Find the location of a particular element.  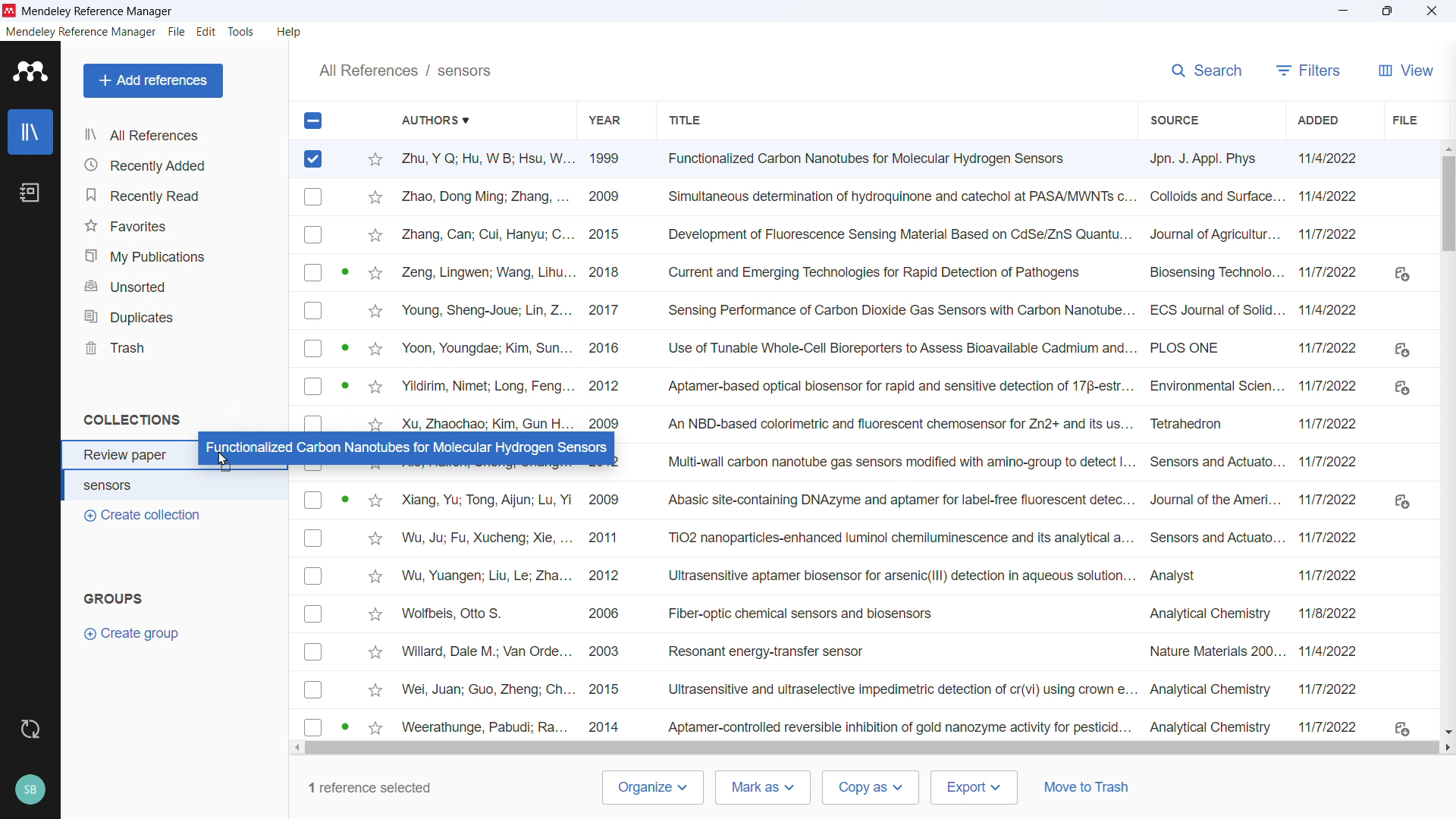

Reference being dragged  is located at coordinates (404, 447).